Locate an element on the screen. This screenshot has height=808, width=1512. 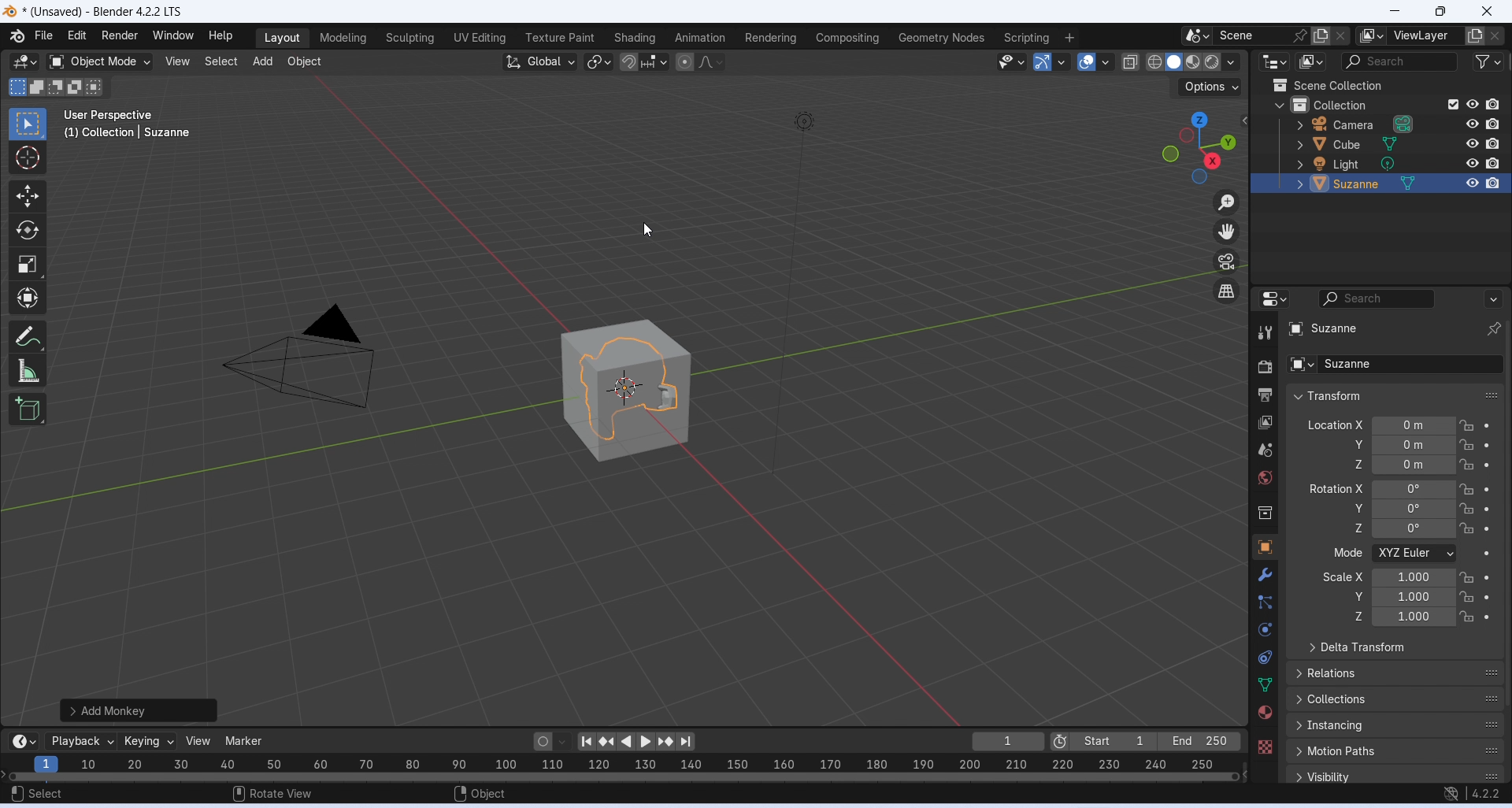
use left click to "select" is located at coordinates (36, 794).